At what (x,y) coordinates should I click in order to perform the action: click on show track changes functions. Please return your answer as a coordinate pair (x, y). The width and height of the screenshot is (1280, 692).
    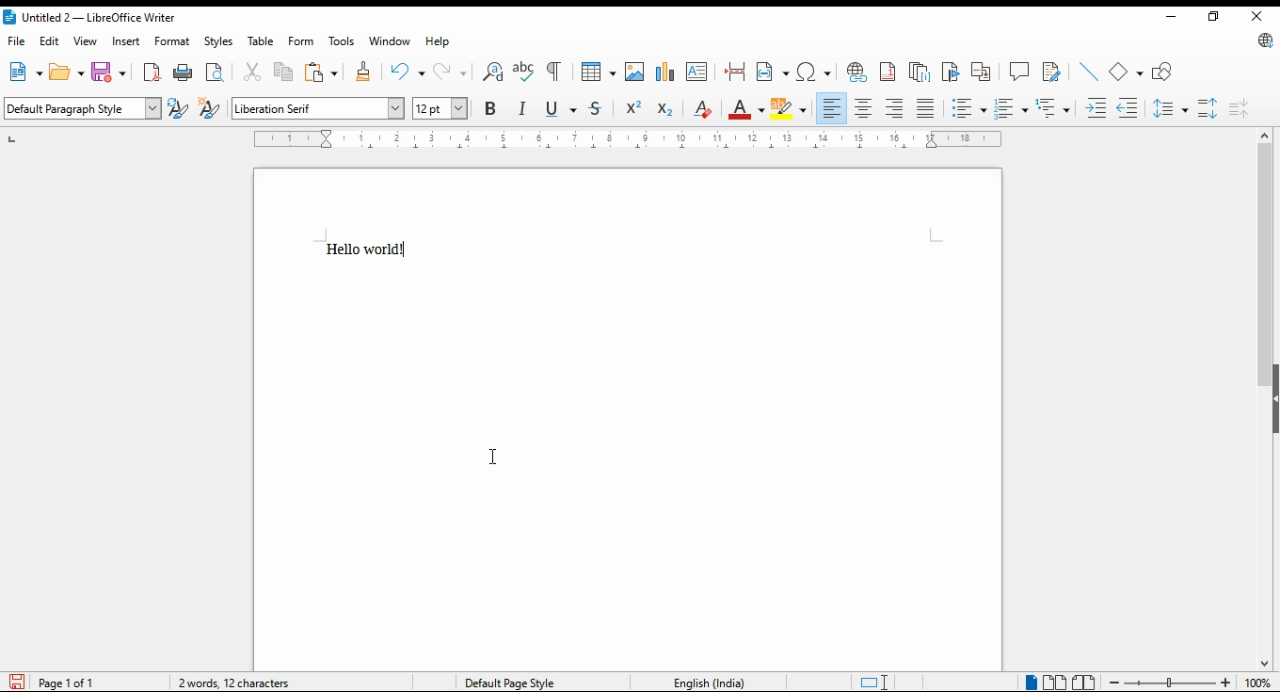
    Looking at the image, I should click on (1053, 71).